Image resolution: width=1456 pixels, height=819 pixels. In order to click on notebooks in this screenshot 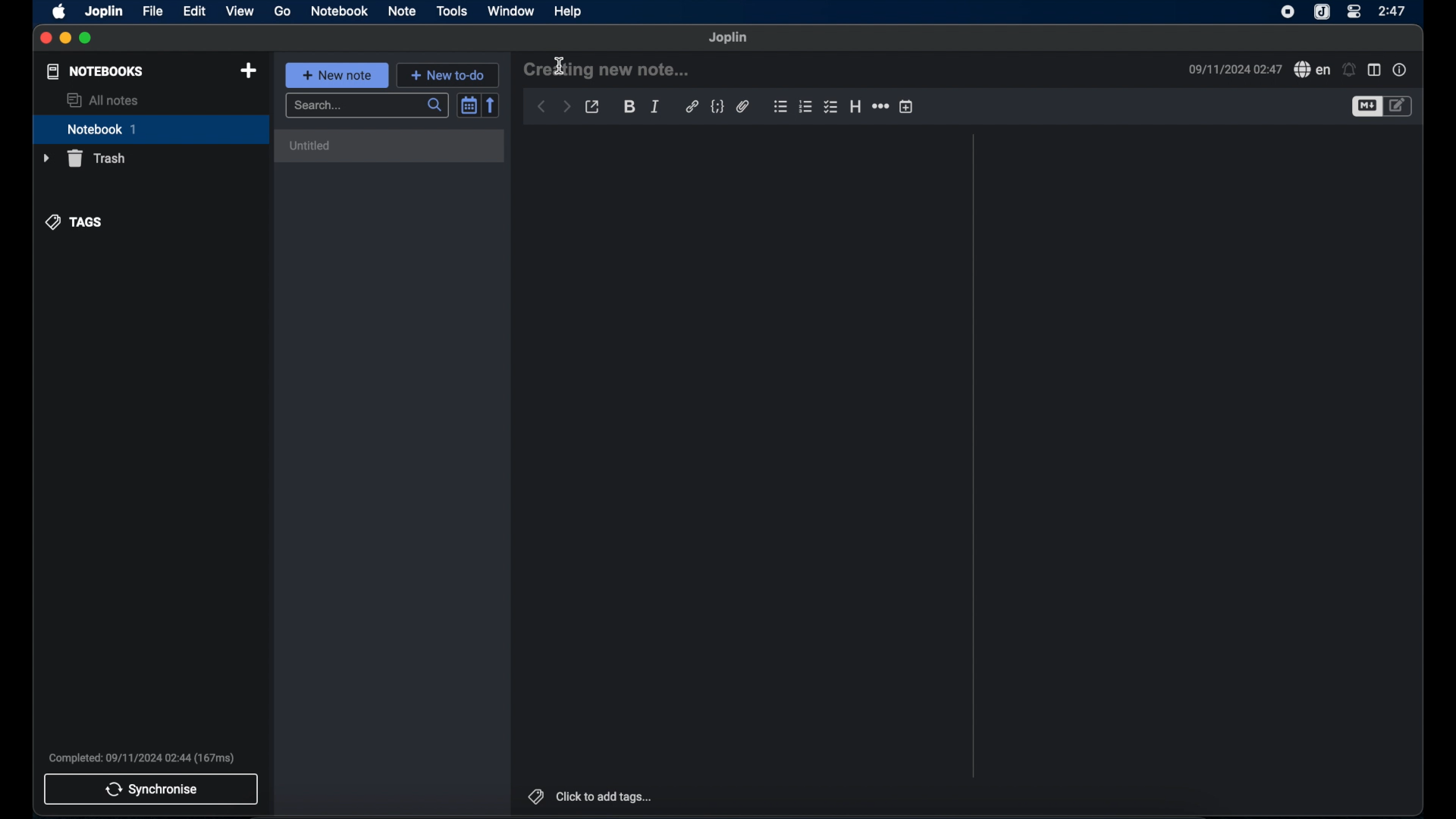, I will do `click(95, 71)`.